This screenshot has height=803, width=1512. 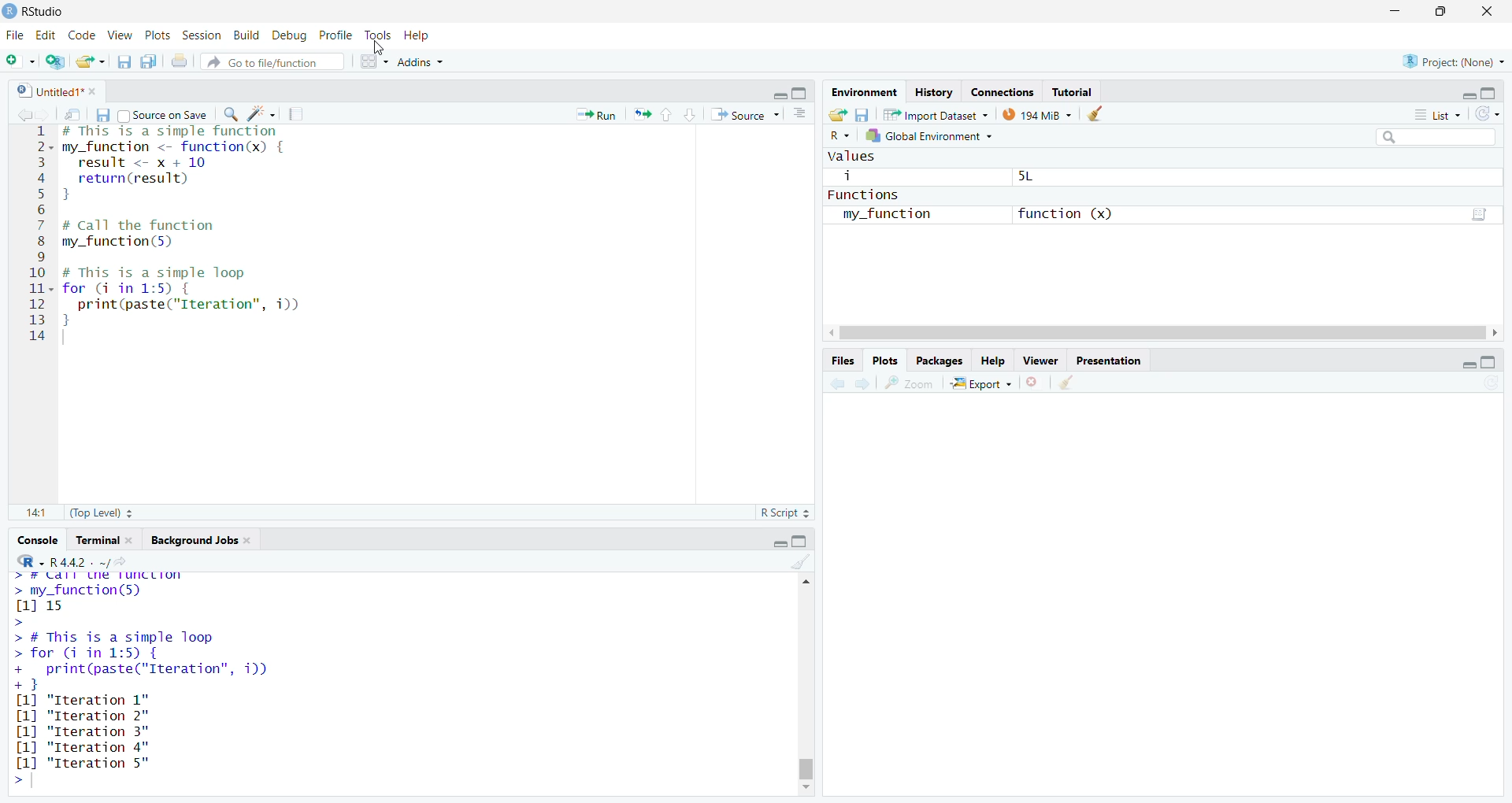 I want to click on move up, so click(x=803, y=583).